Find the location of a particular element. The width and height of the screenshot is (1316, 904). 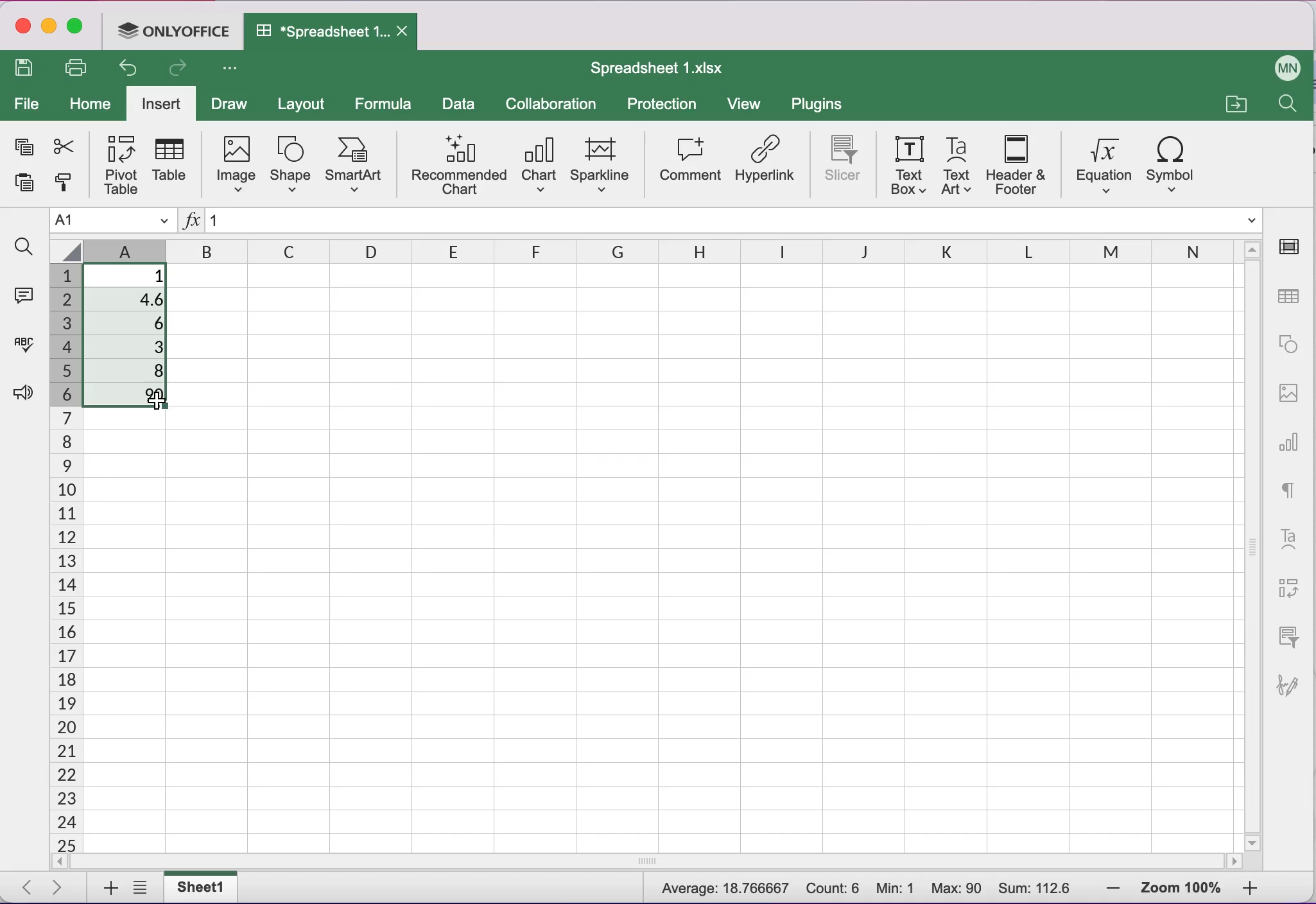

chart is located at coordinates (1290, 447).